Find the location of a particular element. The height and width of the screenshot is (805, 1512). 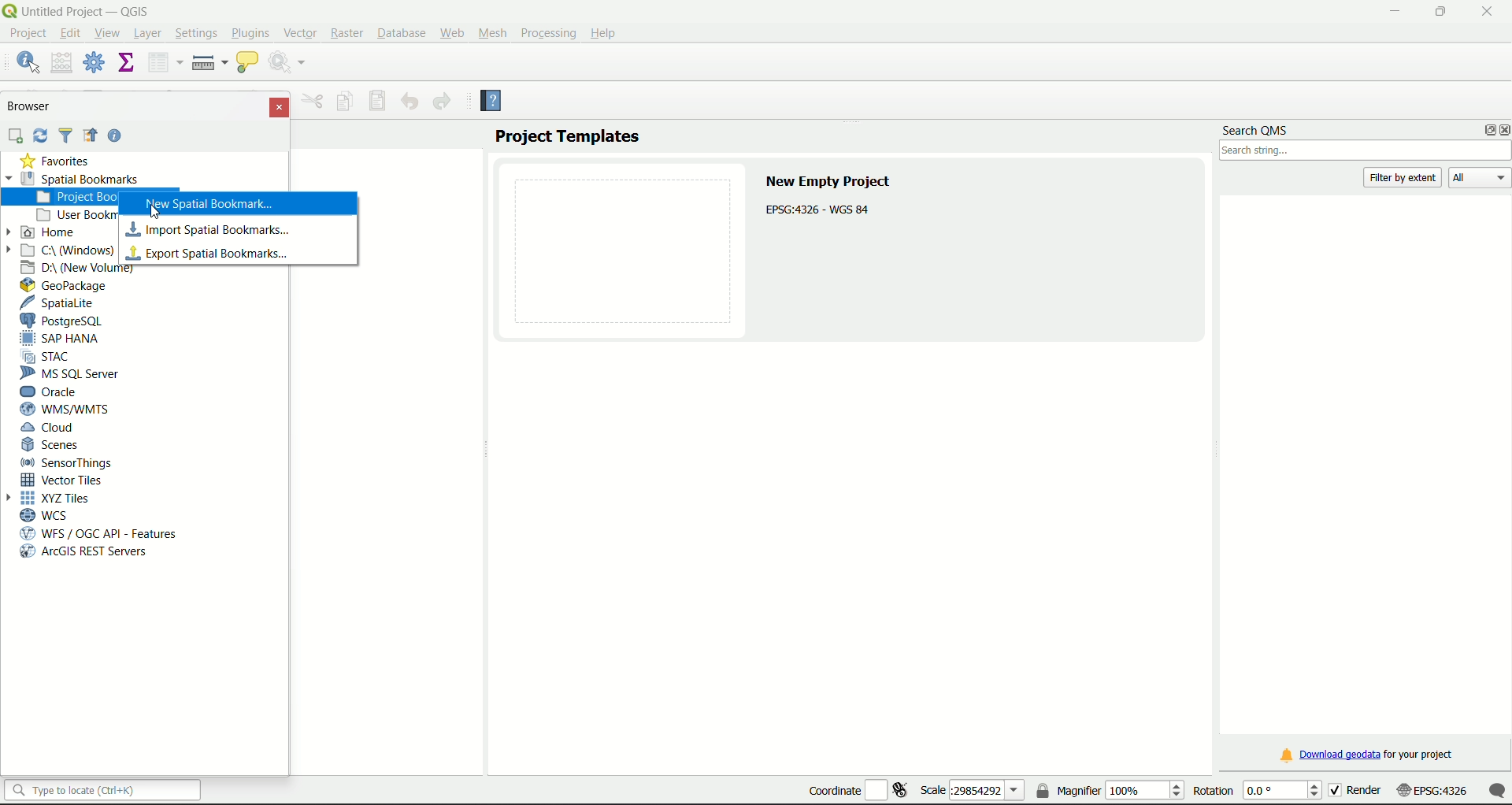

D Drive is located at coordinates (79, 269).